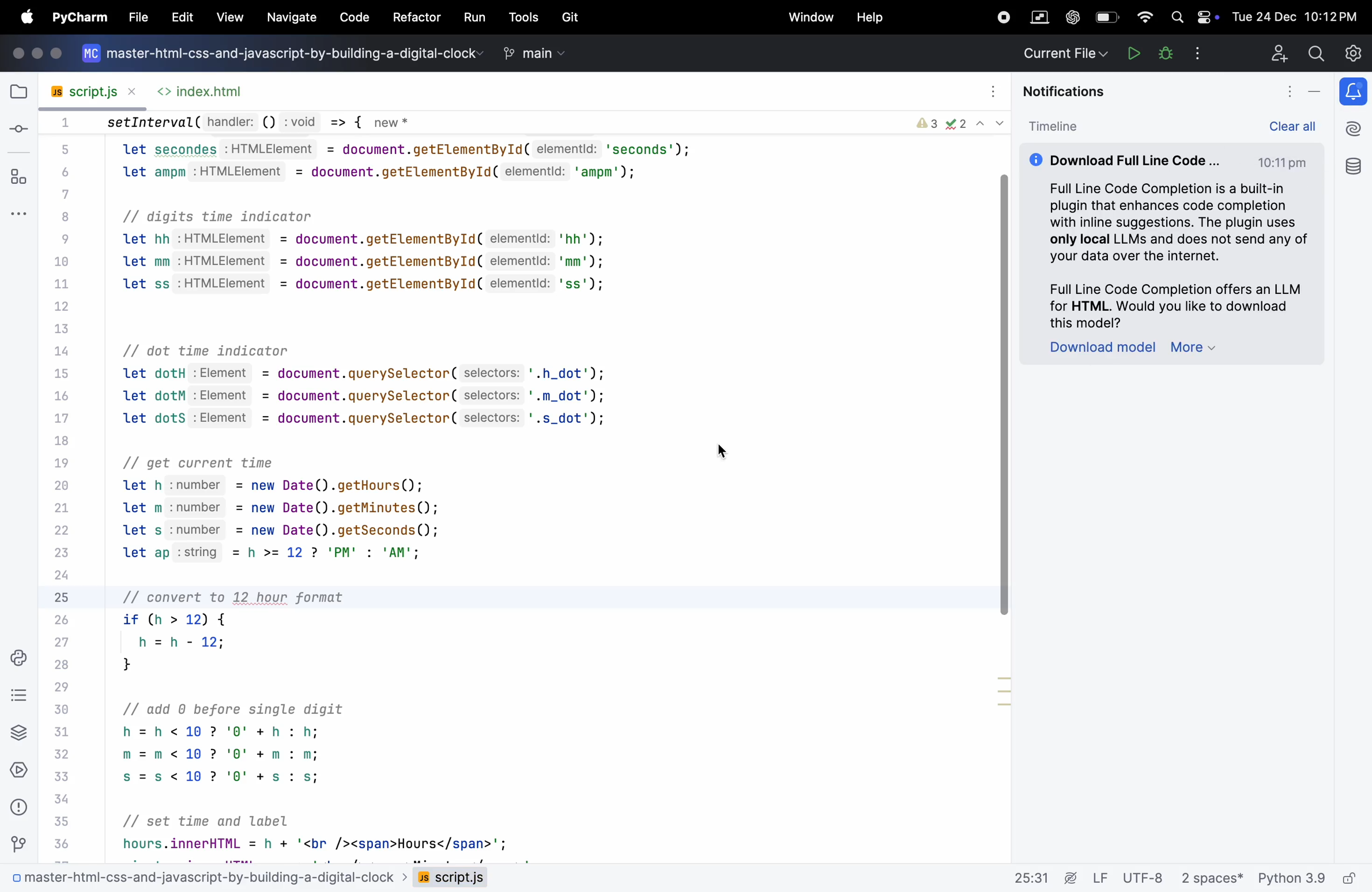  Describe the element at coordinates (522, 17) in the screenshot. I see `tools` at that location.